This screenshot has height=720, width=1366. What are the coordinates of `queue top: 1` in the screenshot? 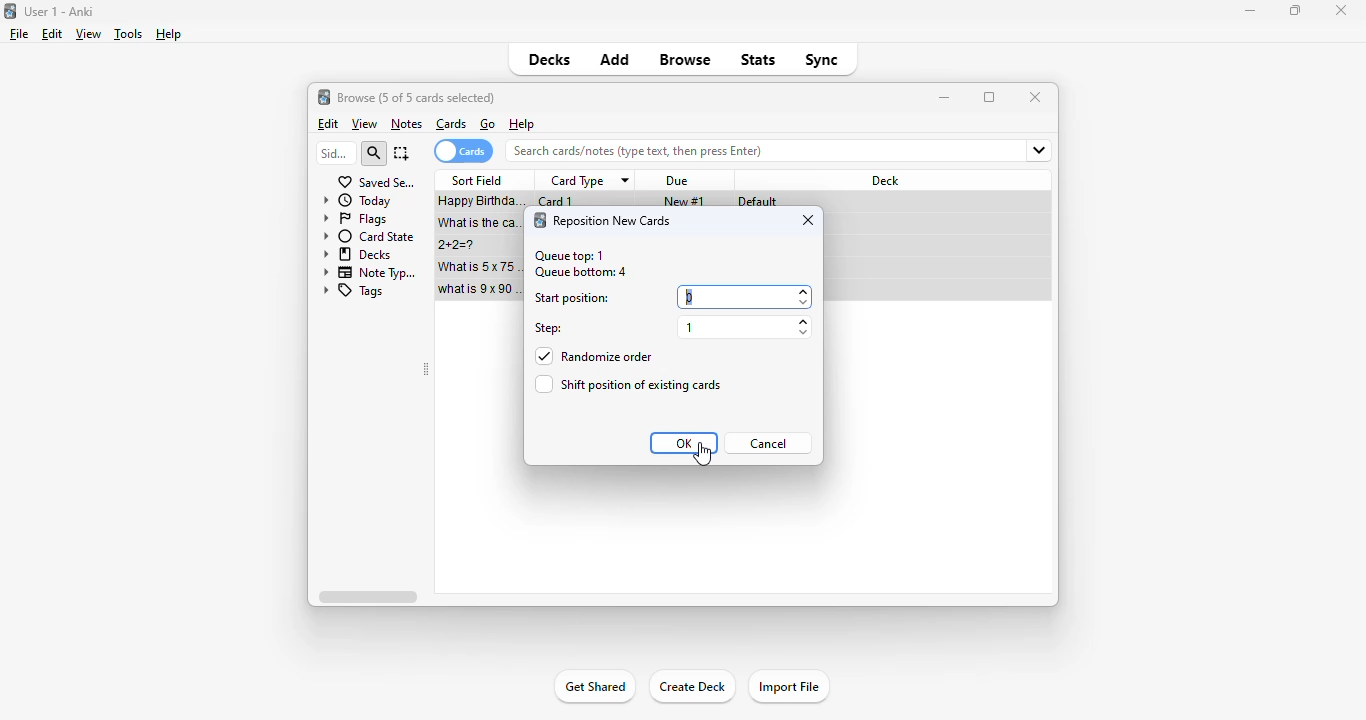 It's located at (571, 255).